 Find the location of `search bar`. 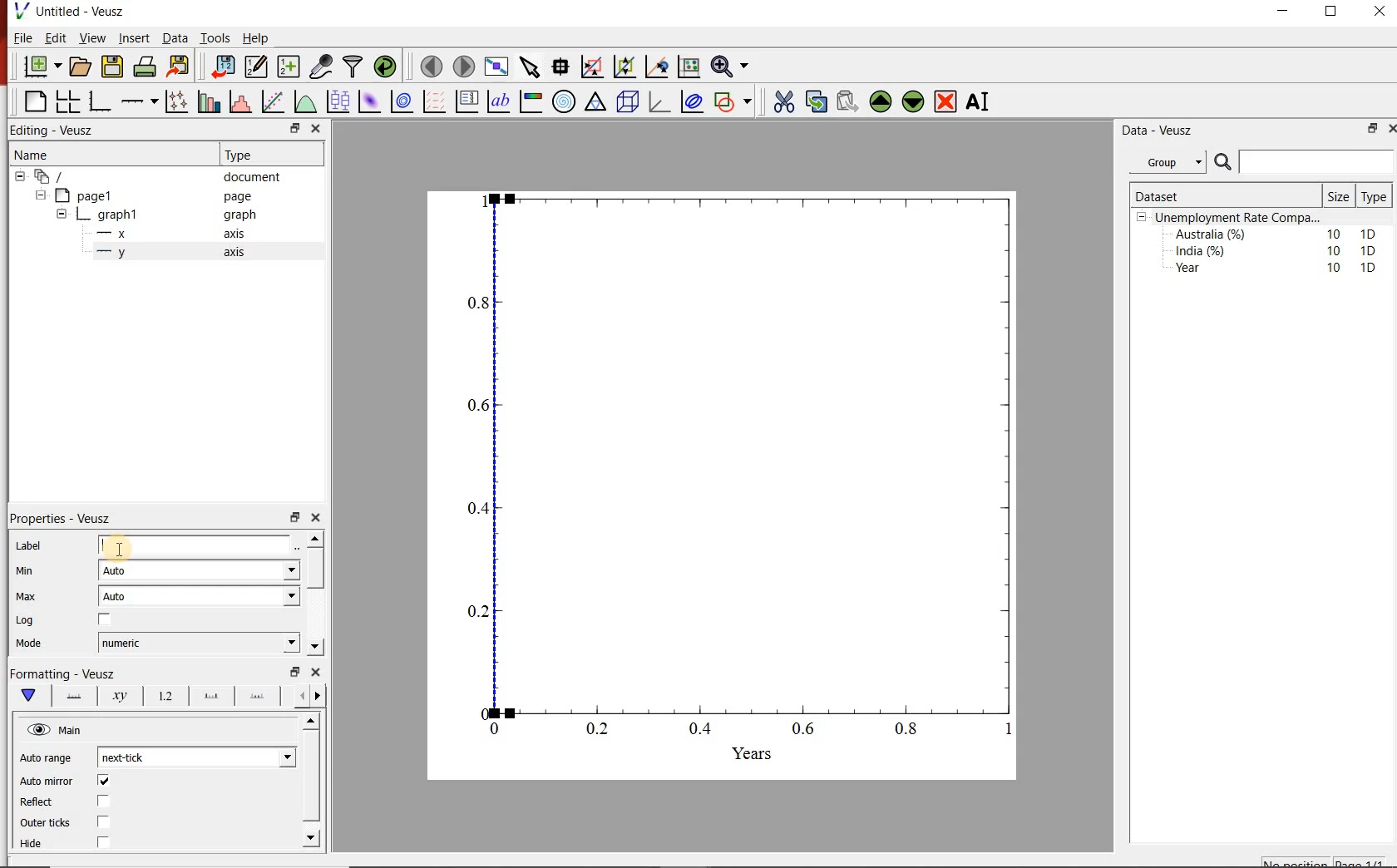

search bar is located at coordinates (1302, 162).